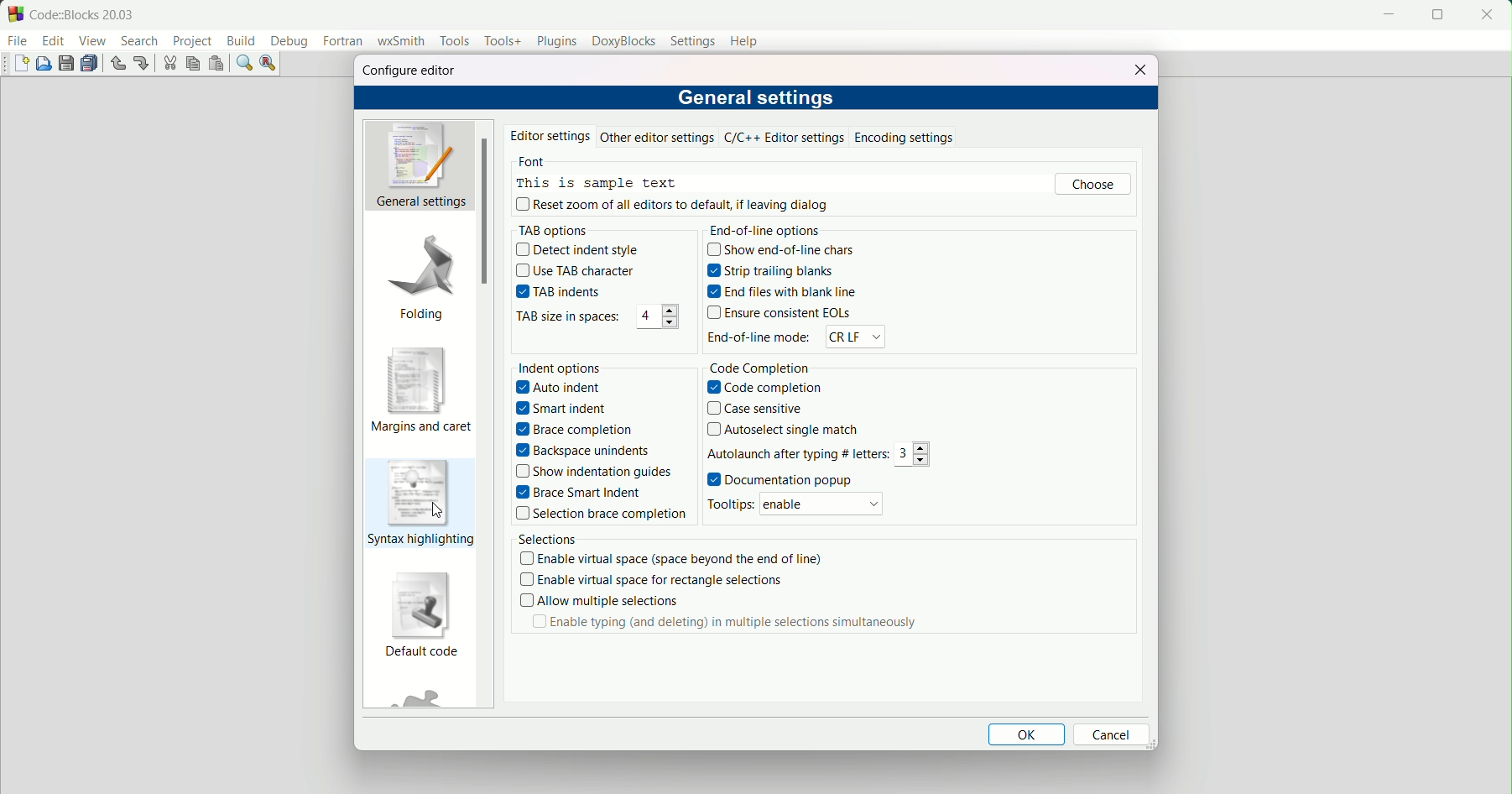  Describe the element at coordinates (786, 138) in the screenshot. I see `C/C++ editor settings` at that location.